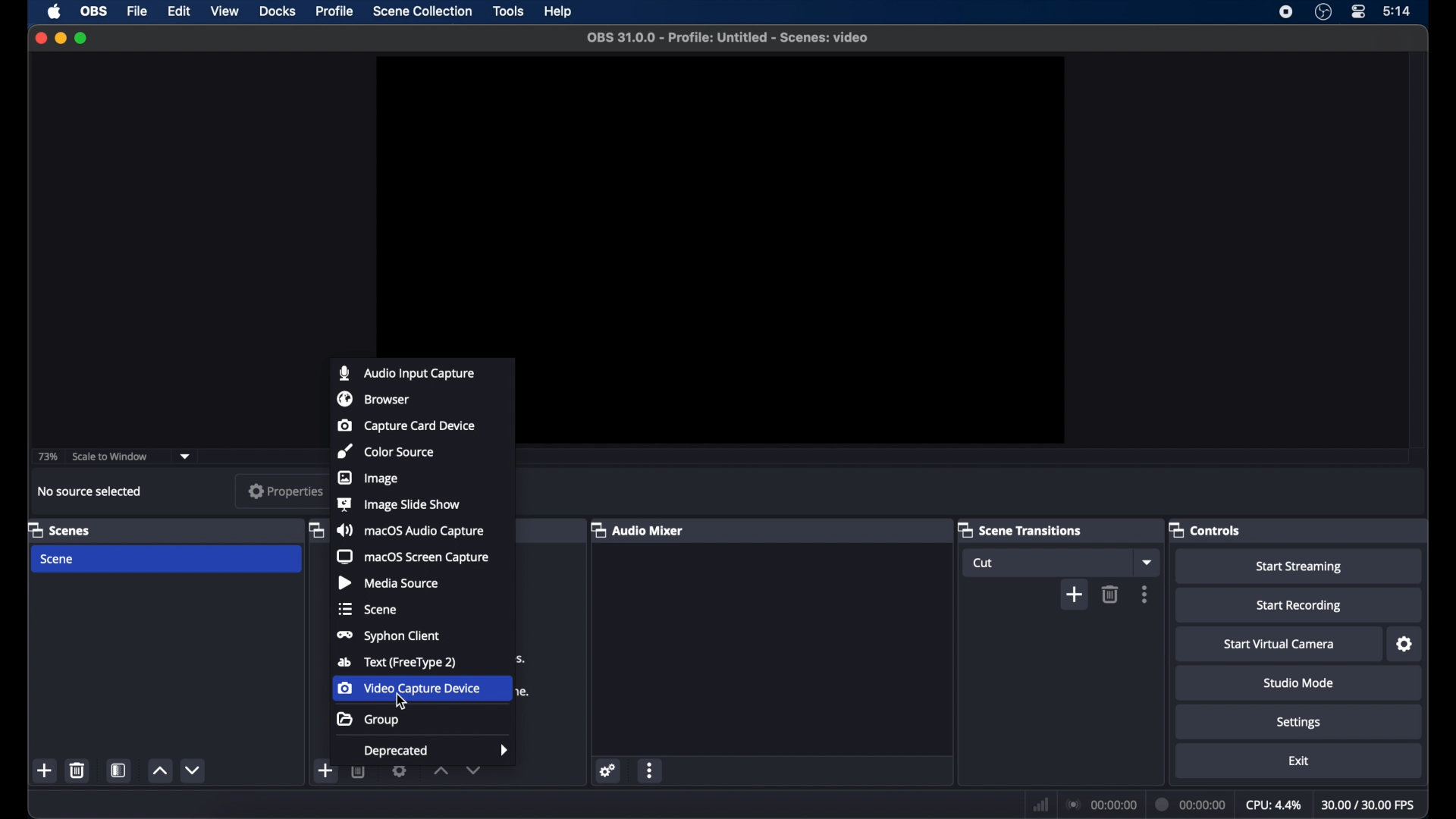 Image resolution: width=1456 pixels, height=819 pixels. Describe the element at coordinates (1300, 567) in the screenshot. I see `start streaming` at that location.